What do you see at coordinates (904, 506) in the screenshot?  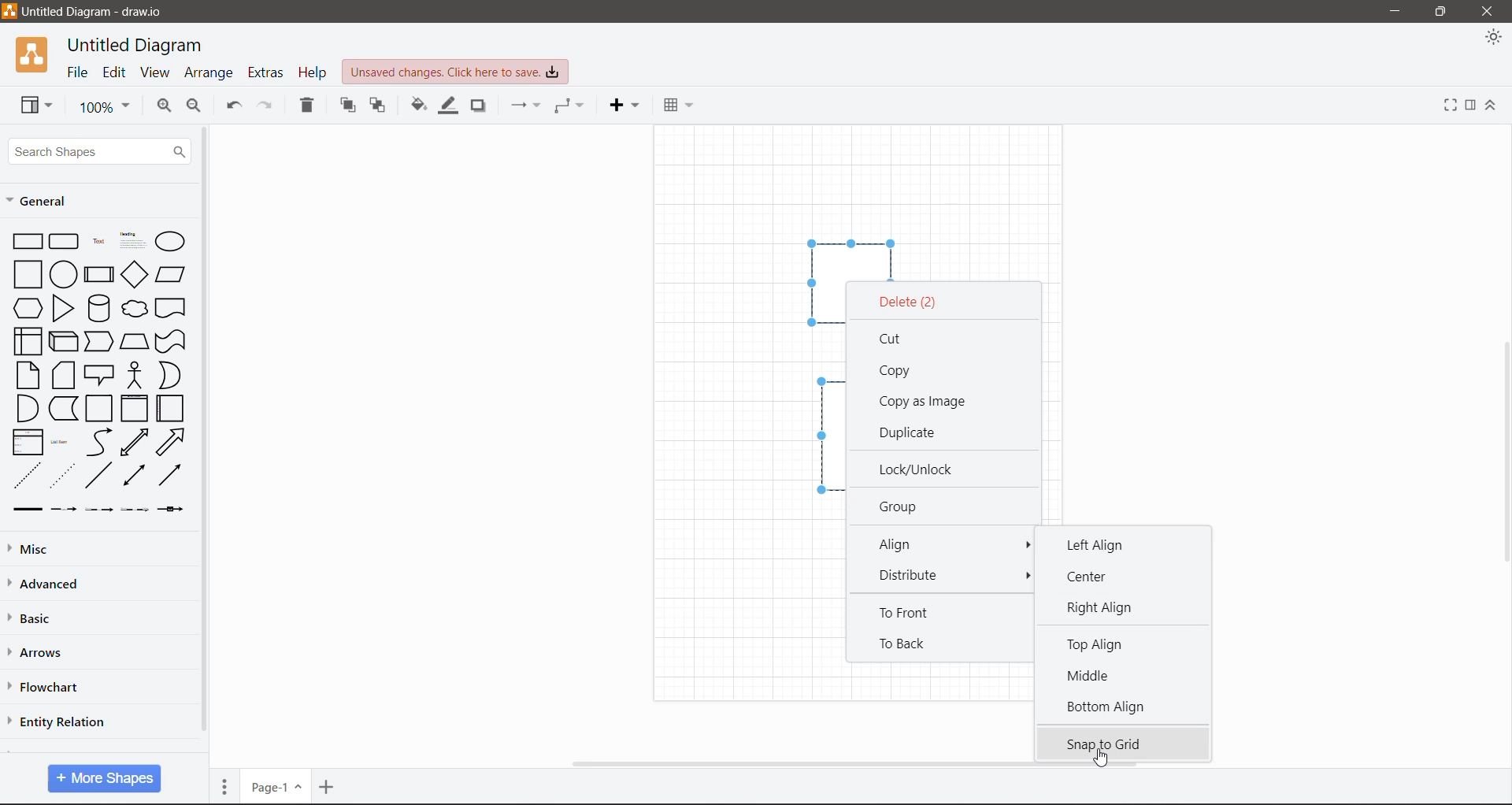 I see `Group` at bounding box center [904, 506].